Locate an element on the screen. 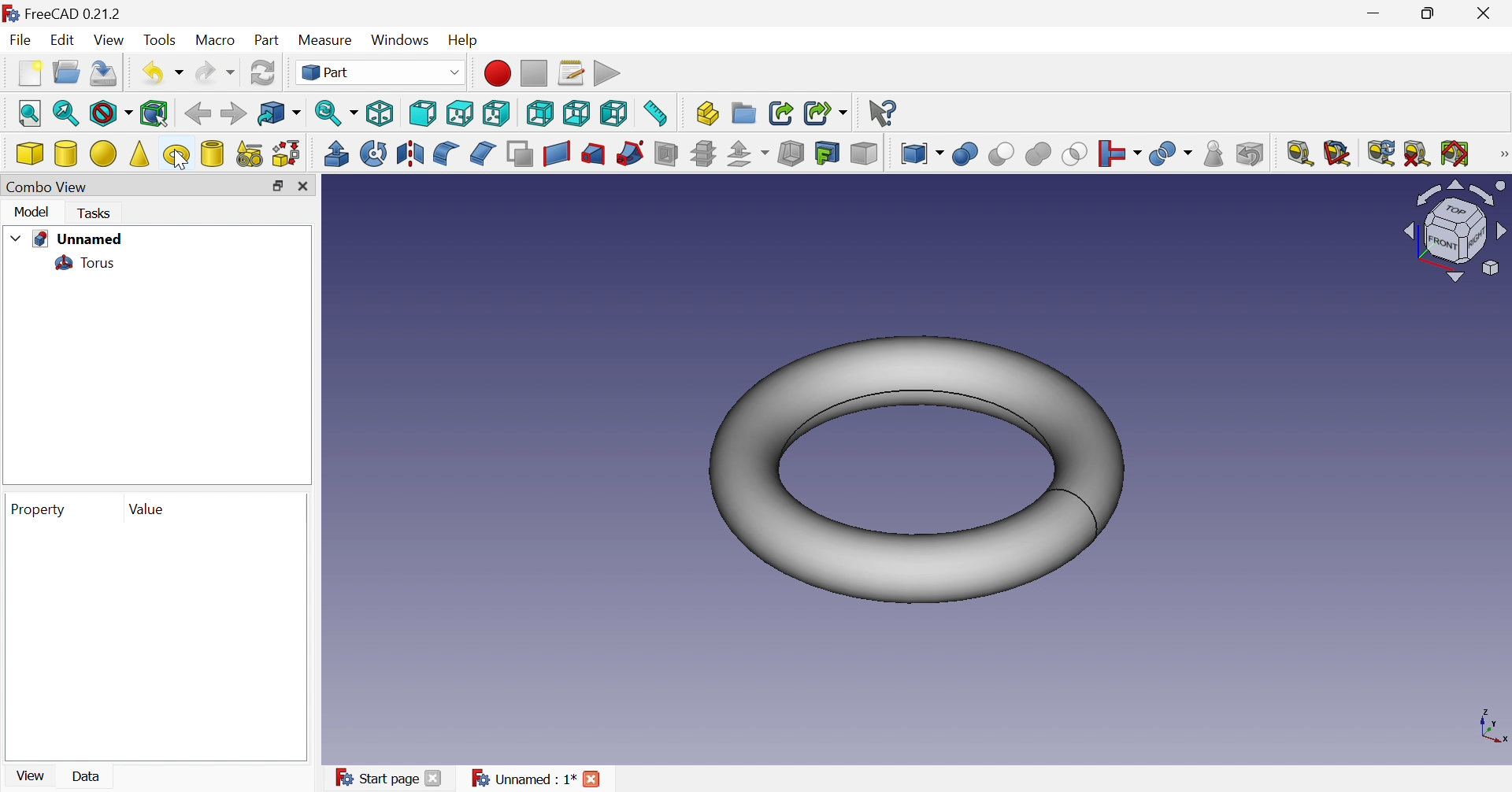  Thickness is located at coordinates (792, 154).